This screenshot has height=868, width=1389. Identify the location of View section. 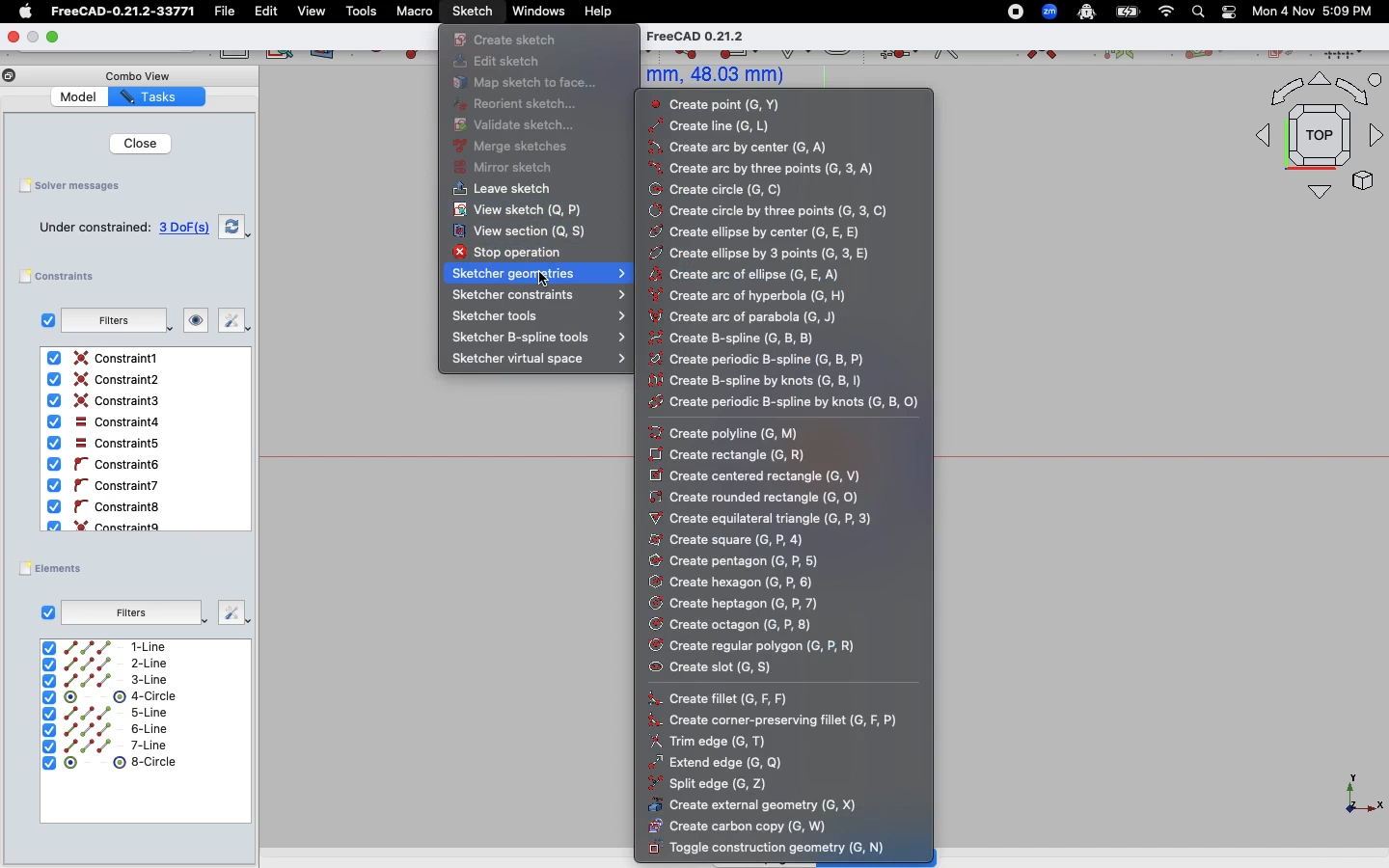
(520, 232).